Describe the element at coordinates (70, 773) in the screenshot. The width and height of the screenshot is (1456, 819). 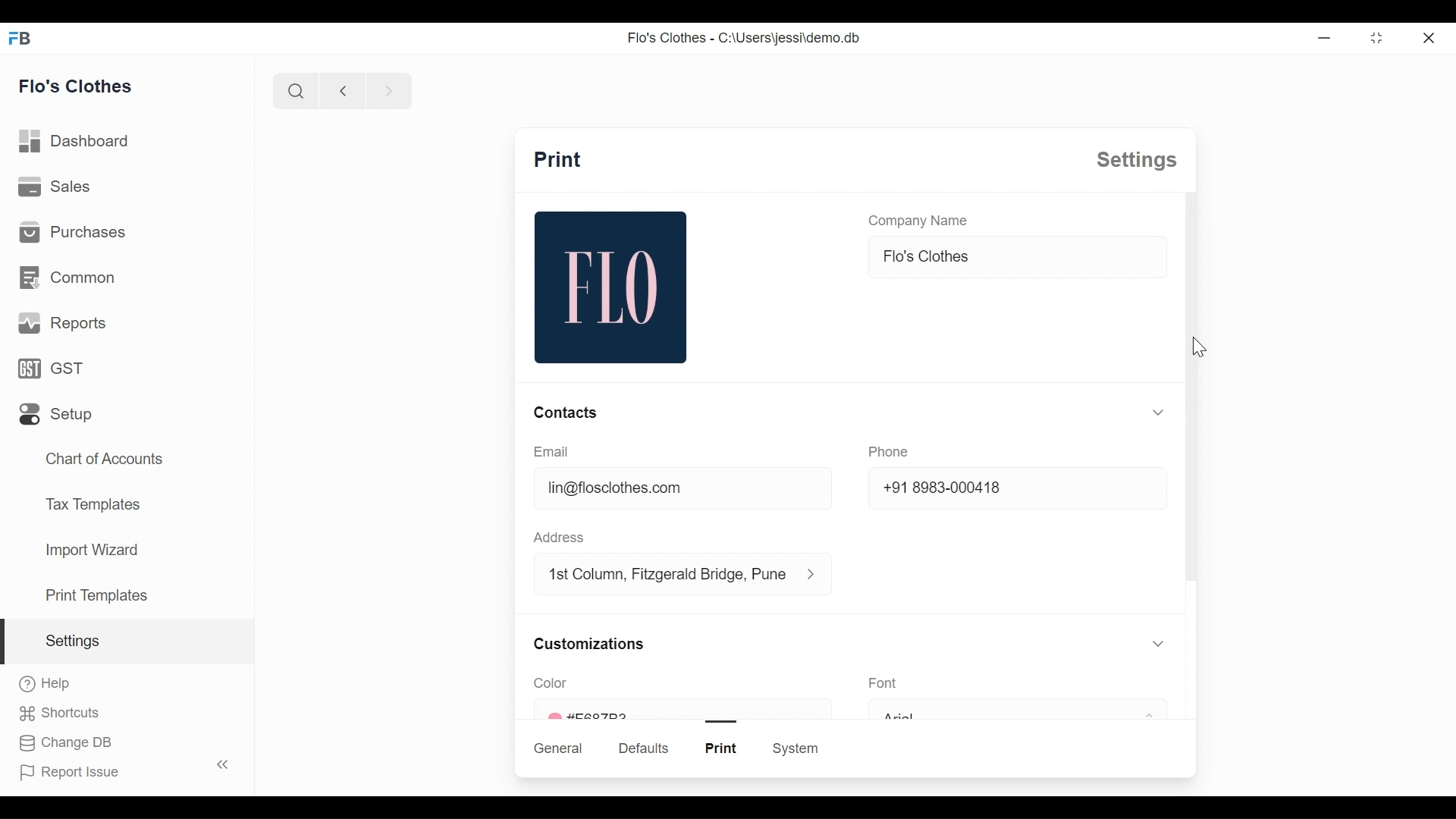
I see `report issue` at that location.